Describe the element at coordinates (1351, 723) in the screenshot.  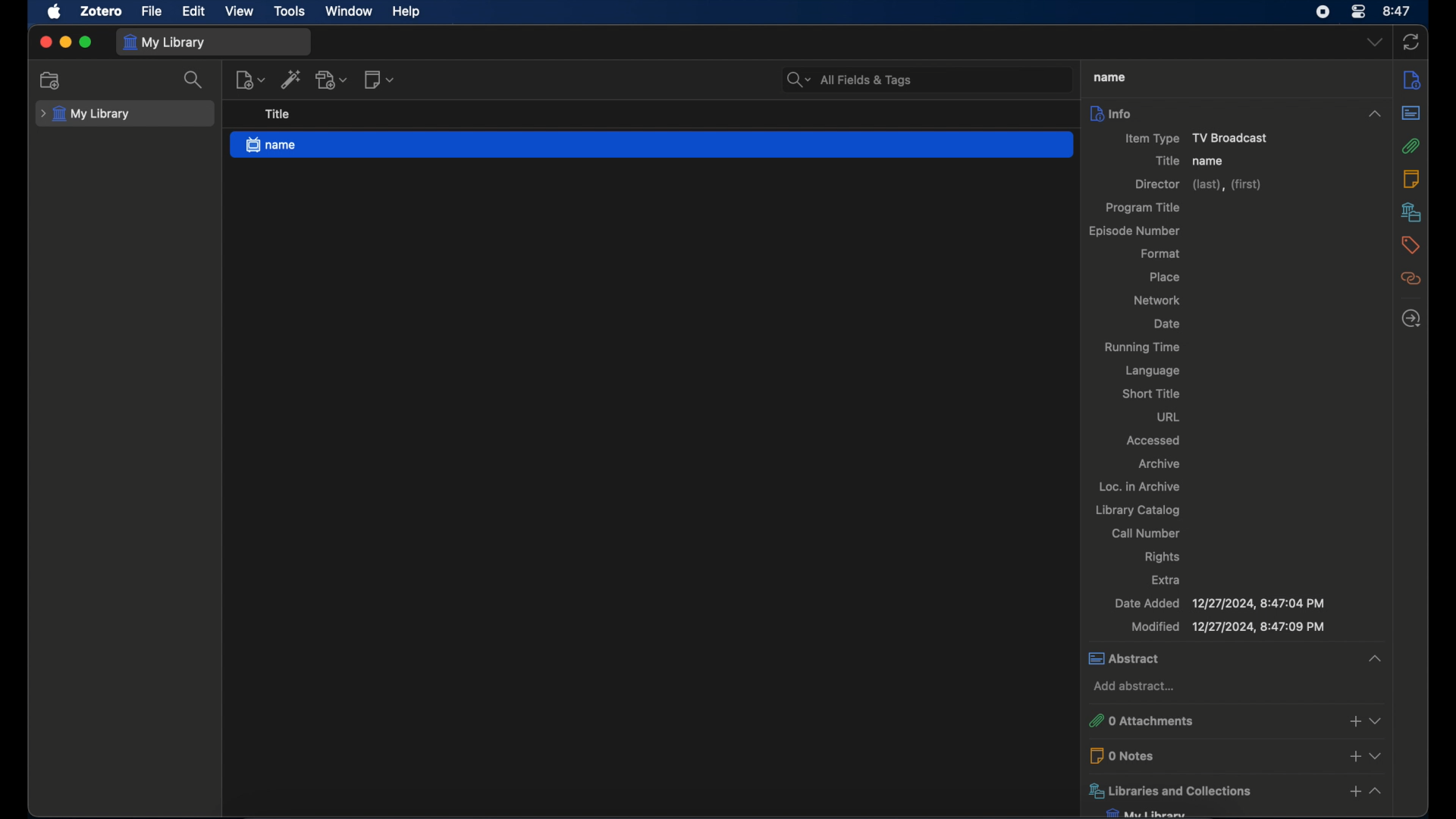
I see `add attachments` at that location.